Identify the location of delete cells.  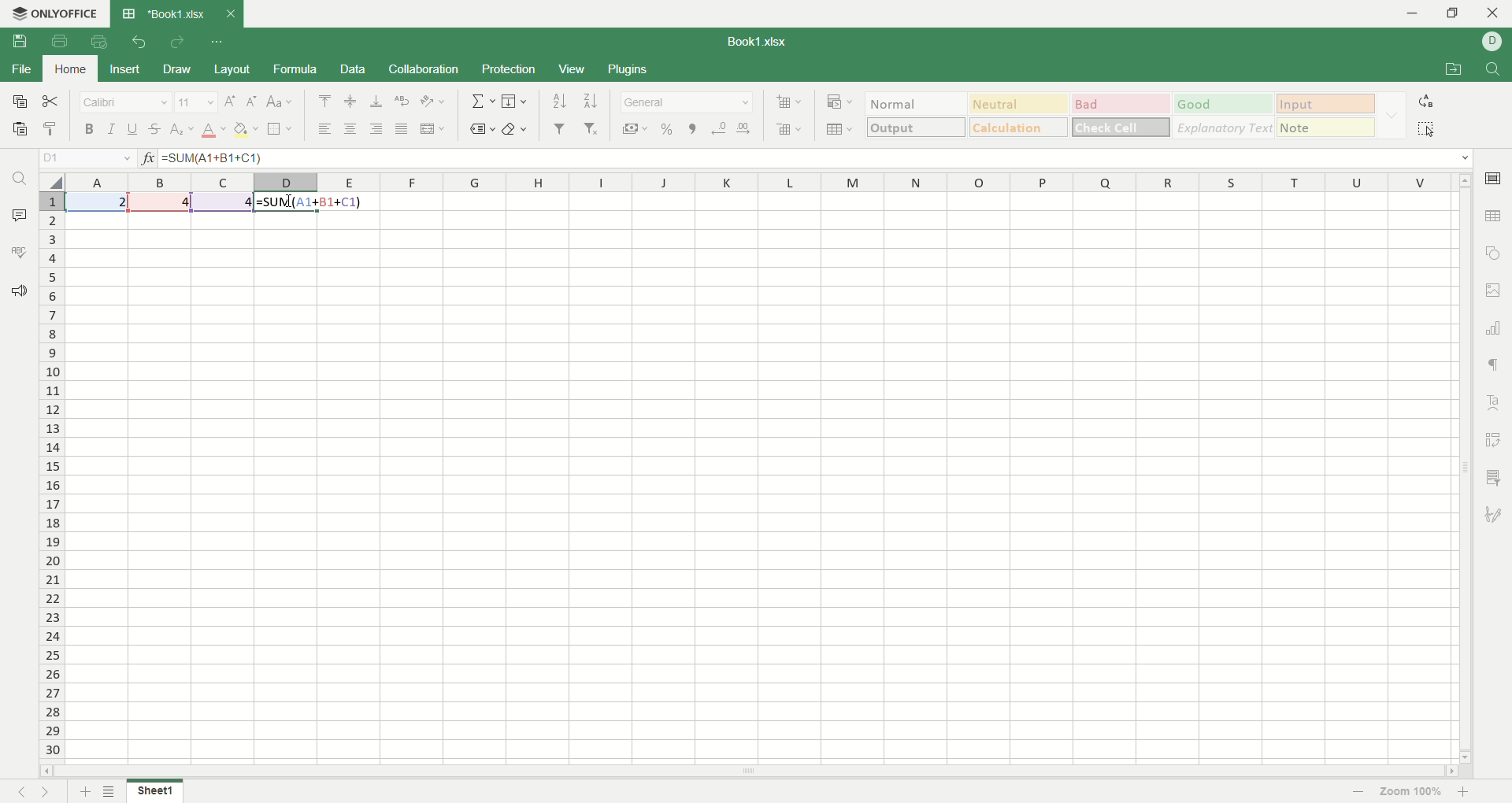
(789, 129).